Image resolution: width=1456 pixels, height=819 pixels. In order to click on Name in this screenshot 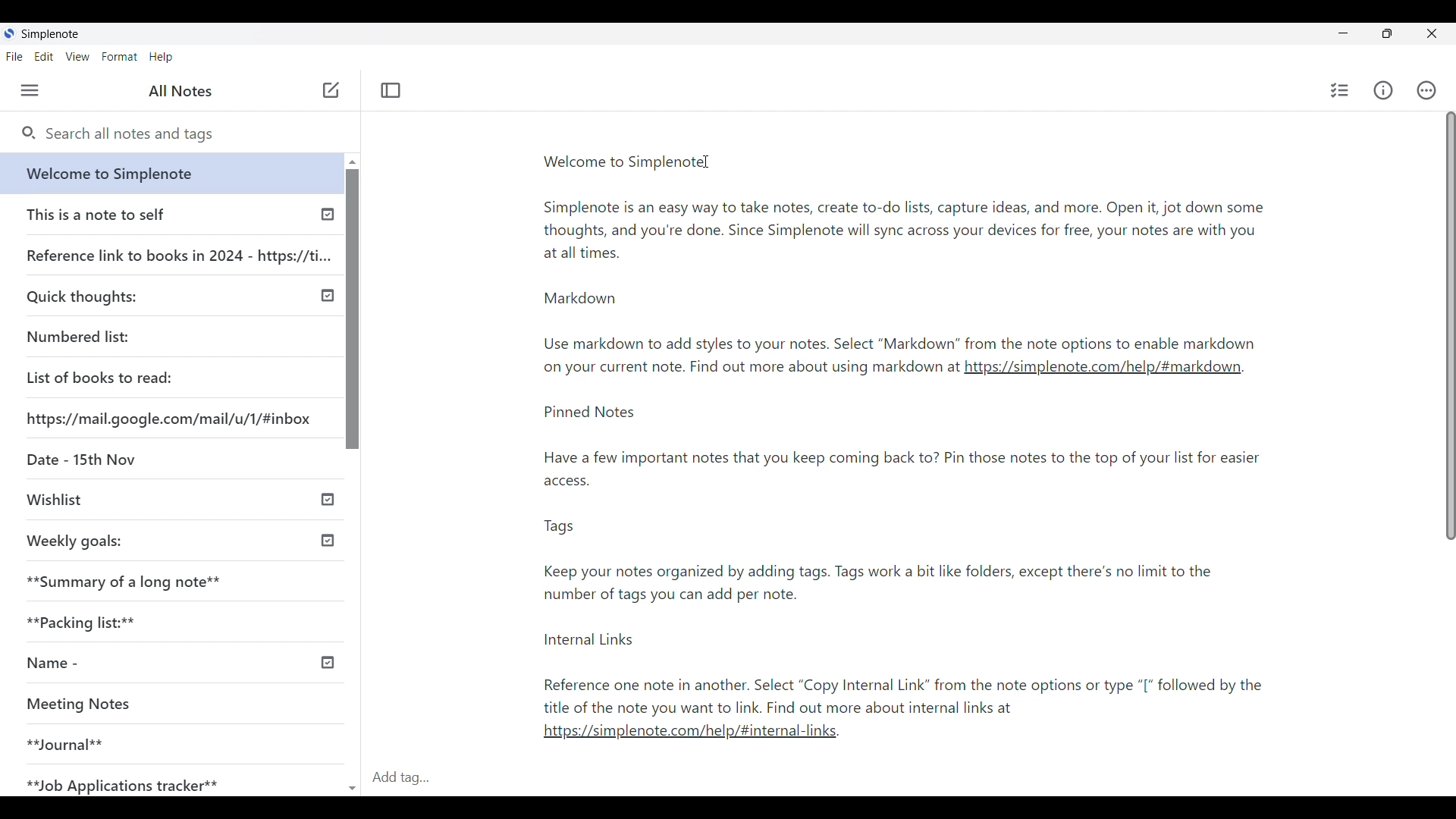, I will do `click(47, 664)`.